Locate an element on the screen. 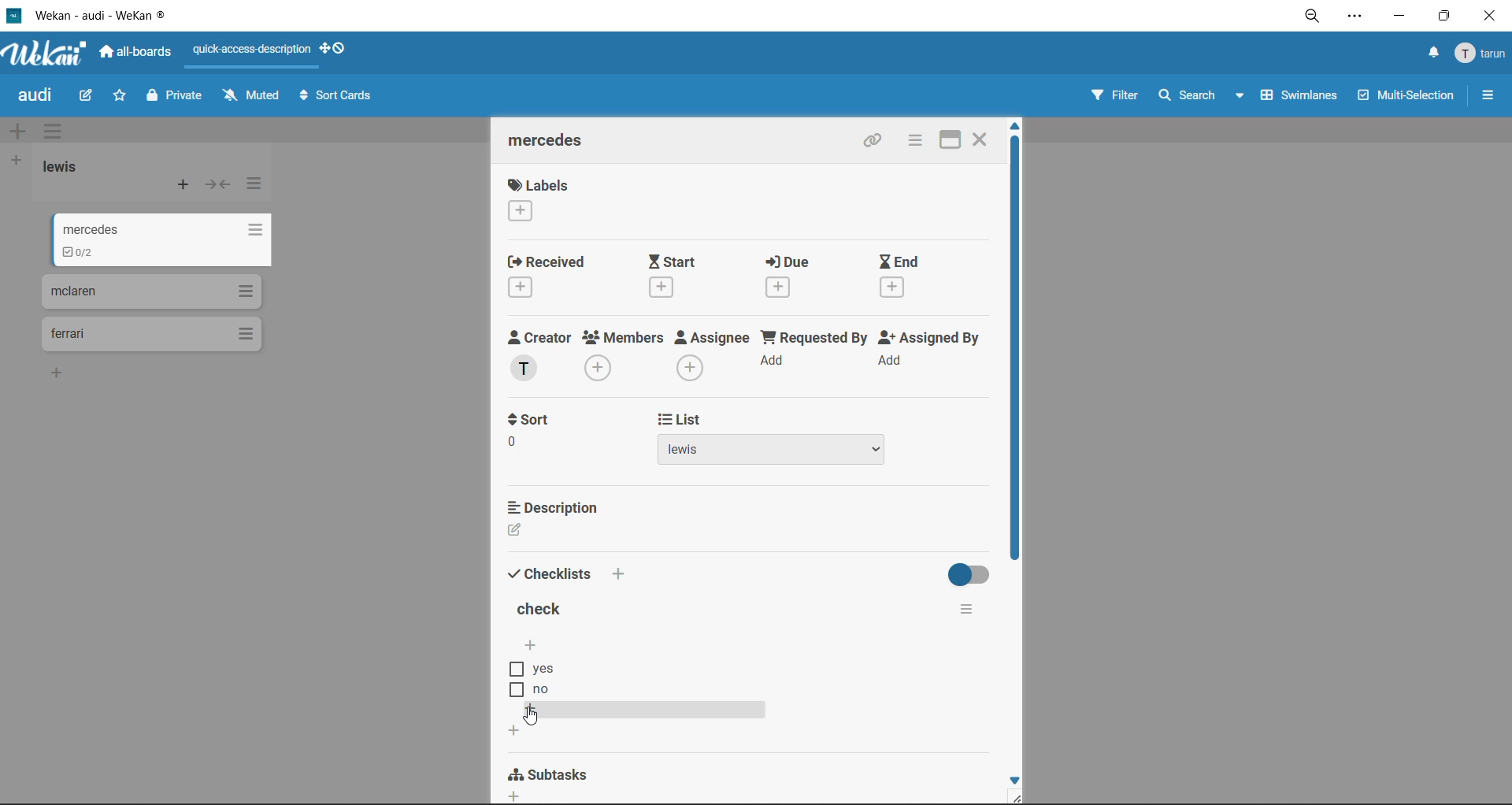  edit is located at coordinates (88, 98).